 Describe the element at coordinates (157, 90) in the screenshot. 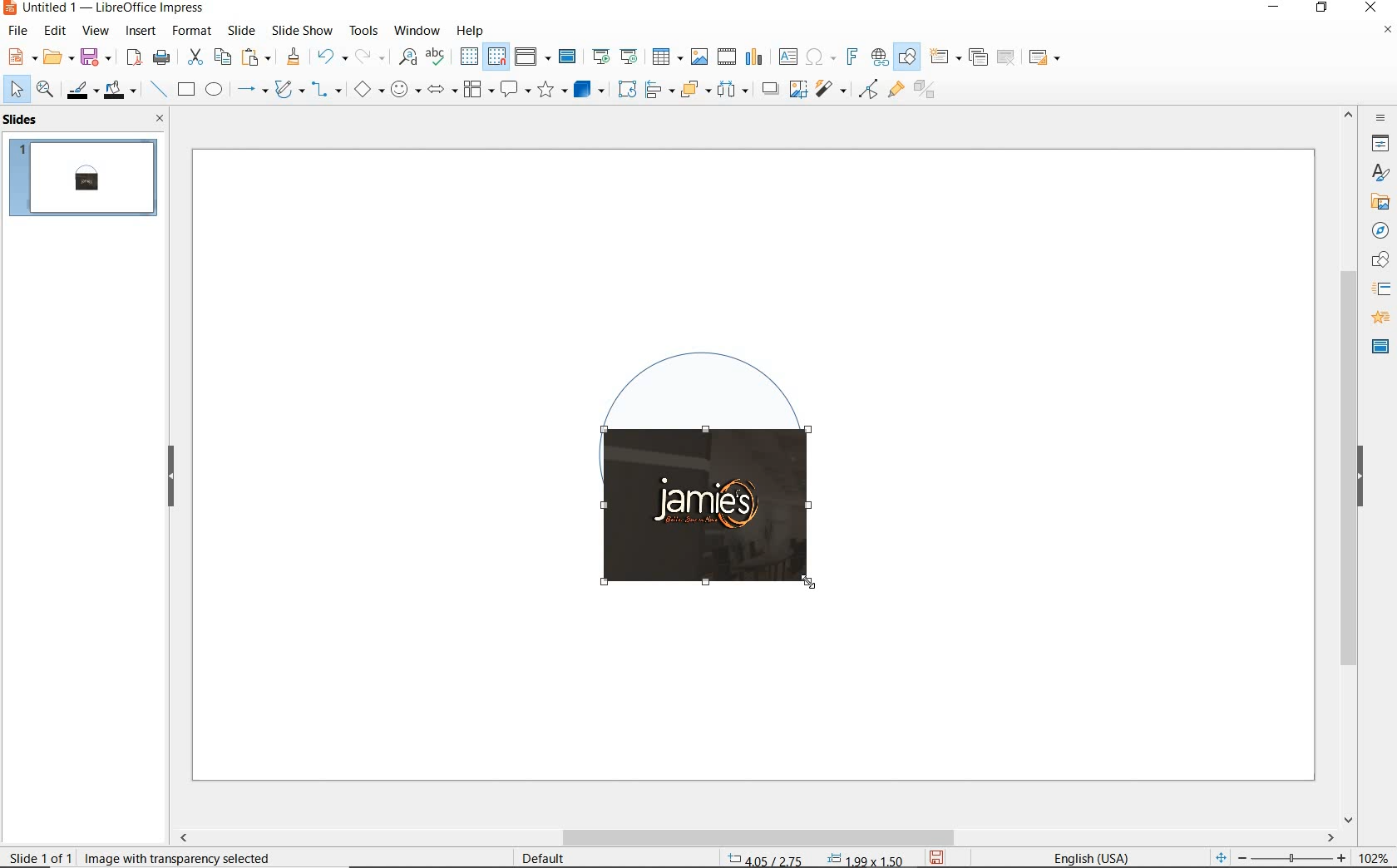

I see `insert line` at that location.